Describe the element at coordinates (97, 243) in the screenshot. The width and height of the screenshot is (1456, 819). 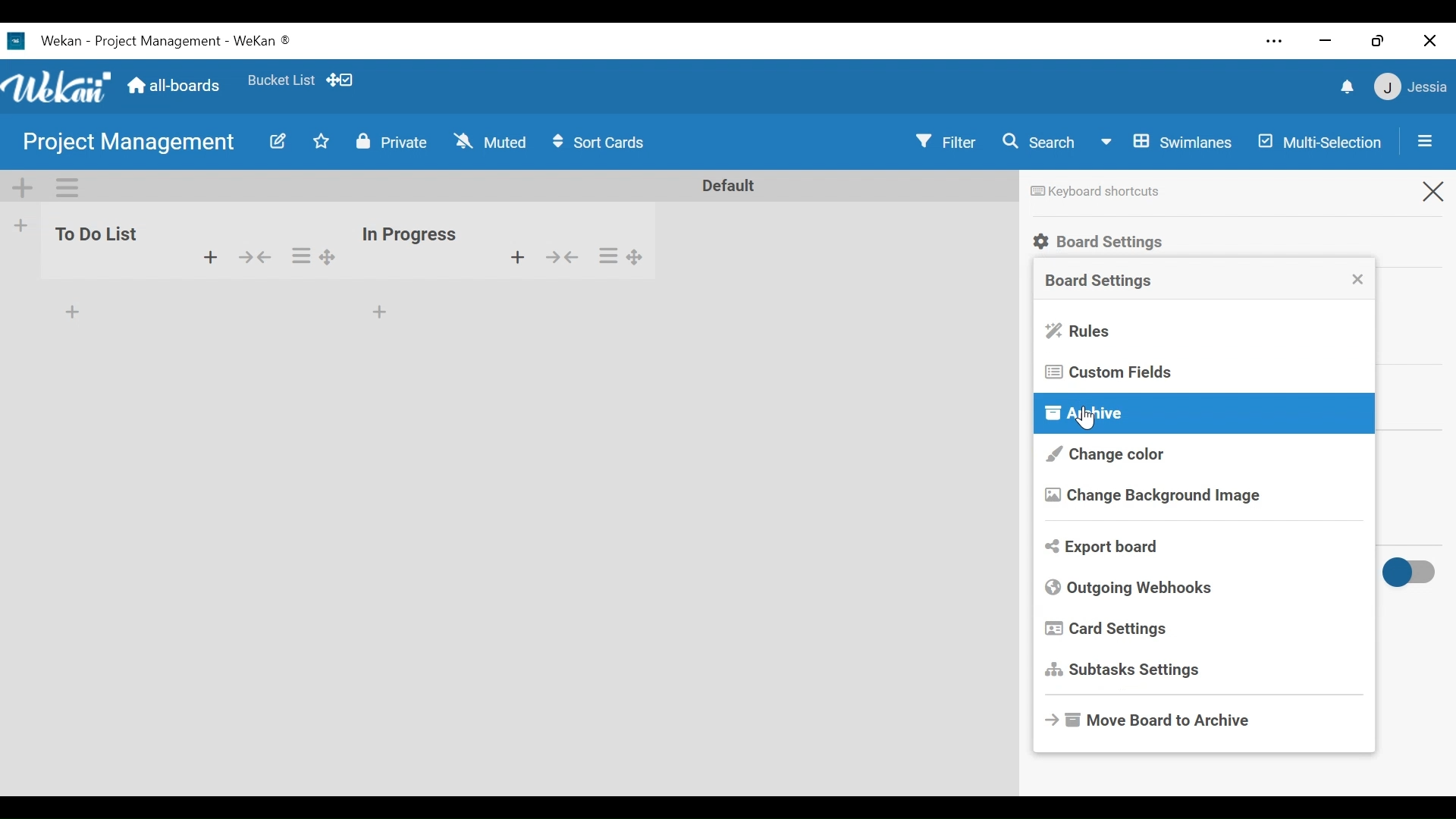
I see `to do list` at that location.